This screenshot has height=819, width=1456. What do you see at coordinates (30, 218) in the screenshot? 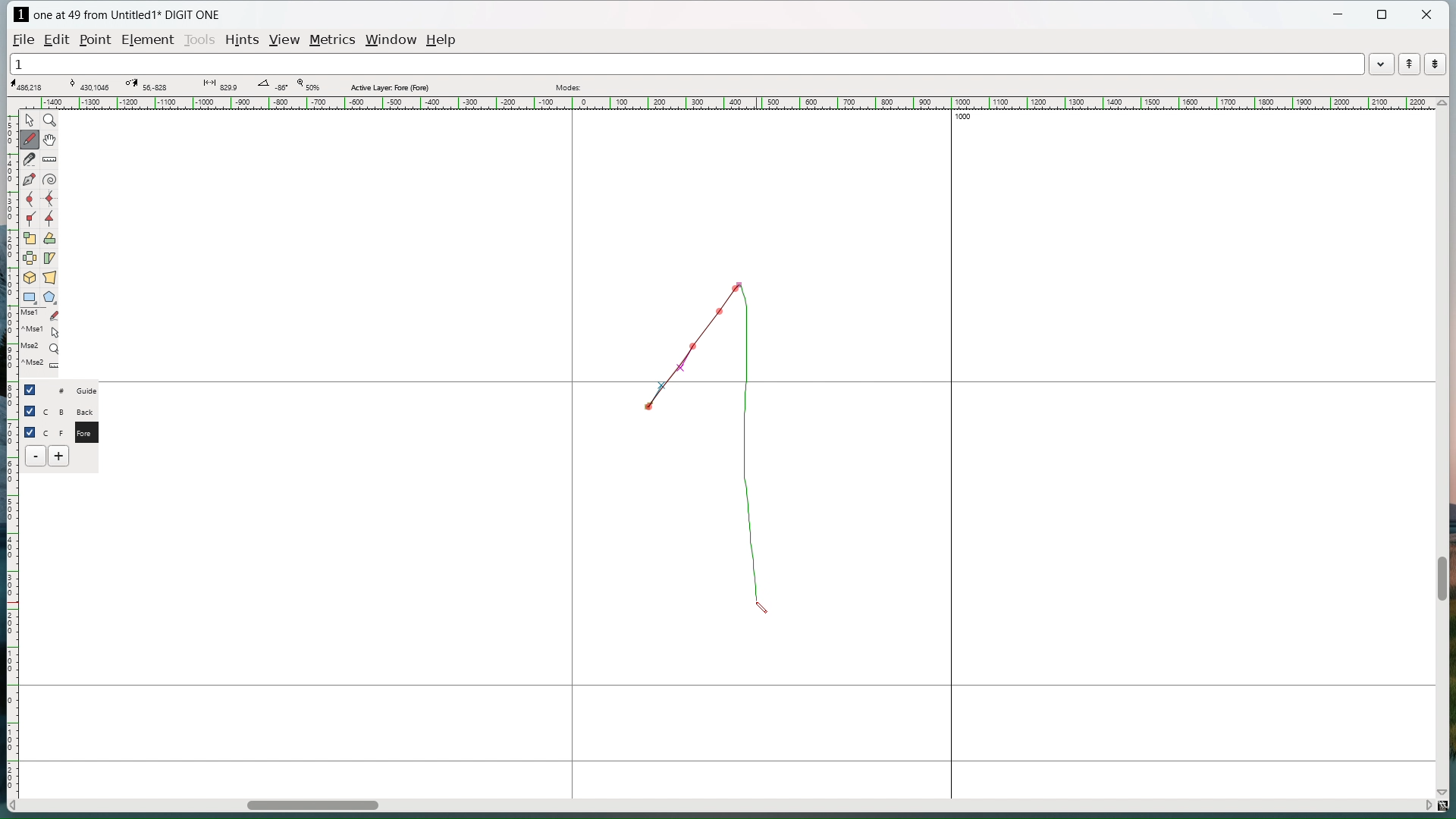
I see `add a corner point` at bounding box center [30, 218].